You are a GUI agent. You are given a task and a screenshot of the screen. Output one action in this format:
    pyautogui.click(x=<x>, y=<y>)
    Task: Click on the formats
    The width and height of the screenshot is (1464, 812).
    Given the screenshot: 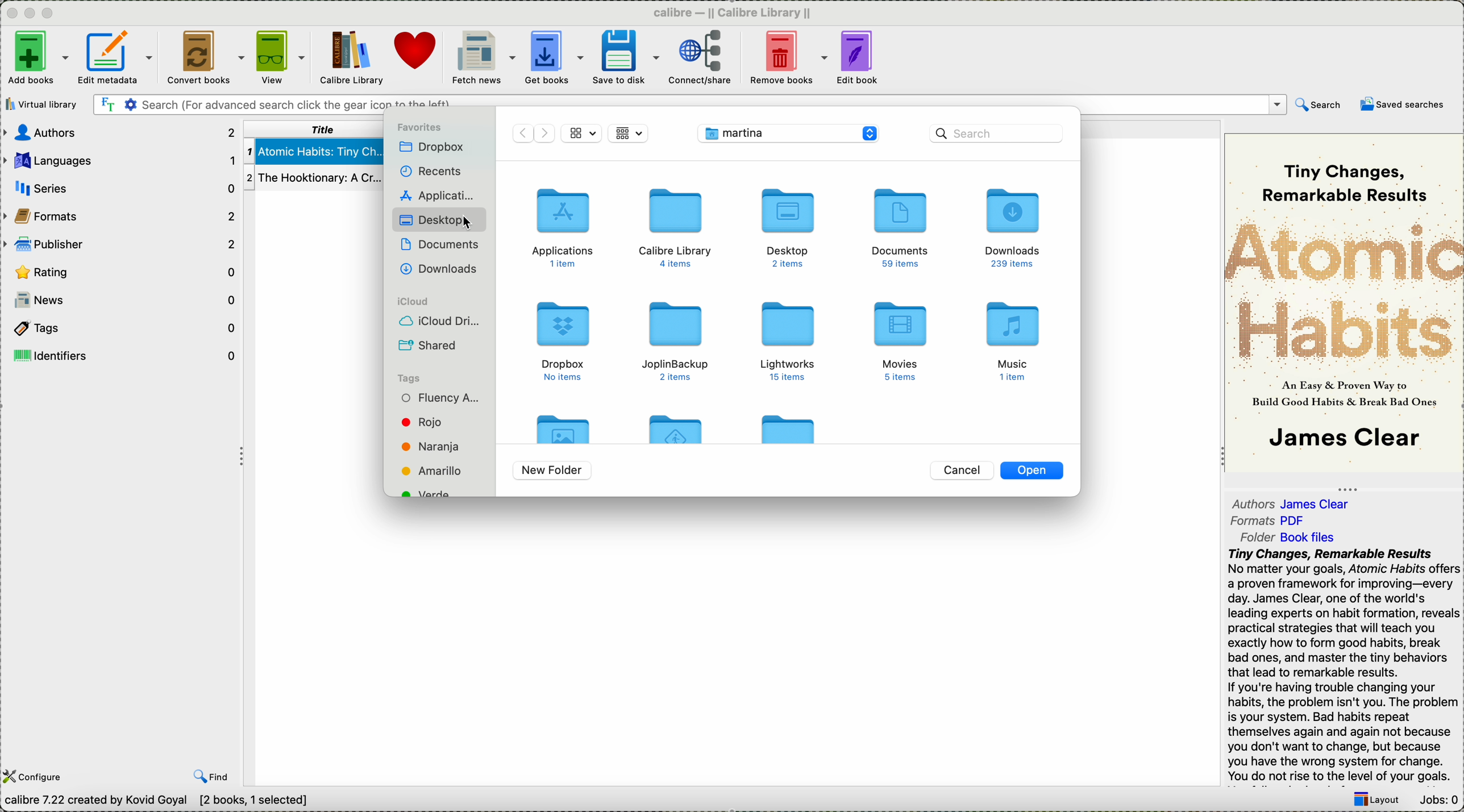 What is the action you would take?
    pyautogui.click(x=1271, y=522)
    